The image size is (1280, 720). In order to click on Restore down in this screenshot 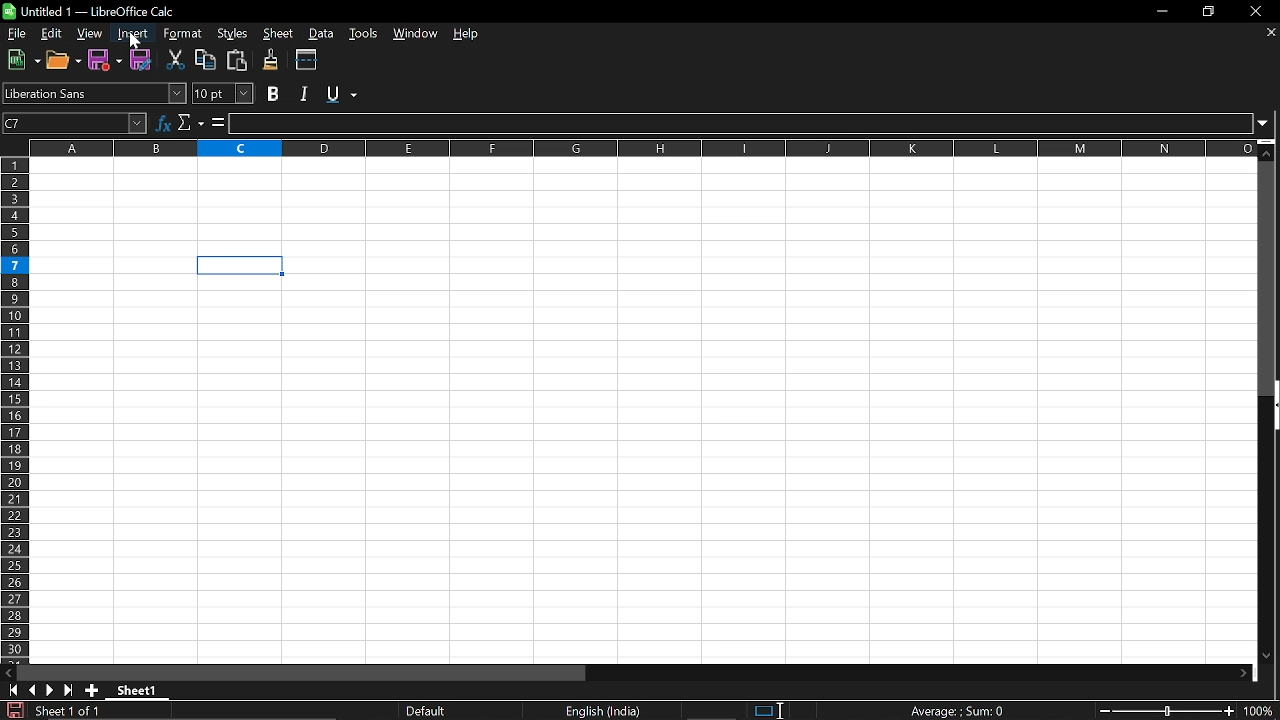, I will do `click(1208, 13)`.